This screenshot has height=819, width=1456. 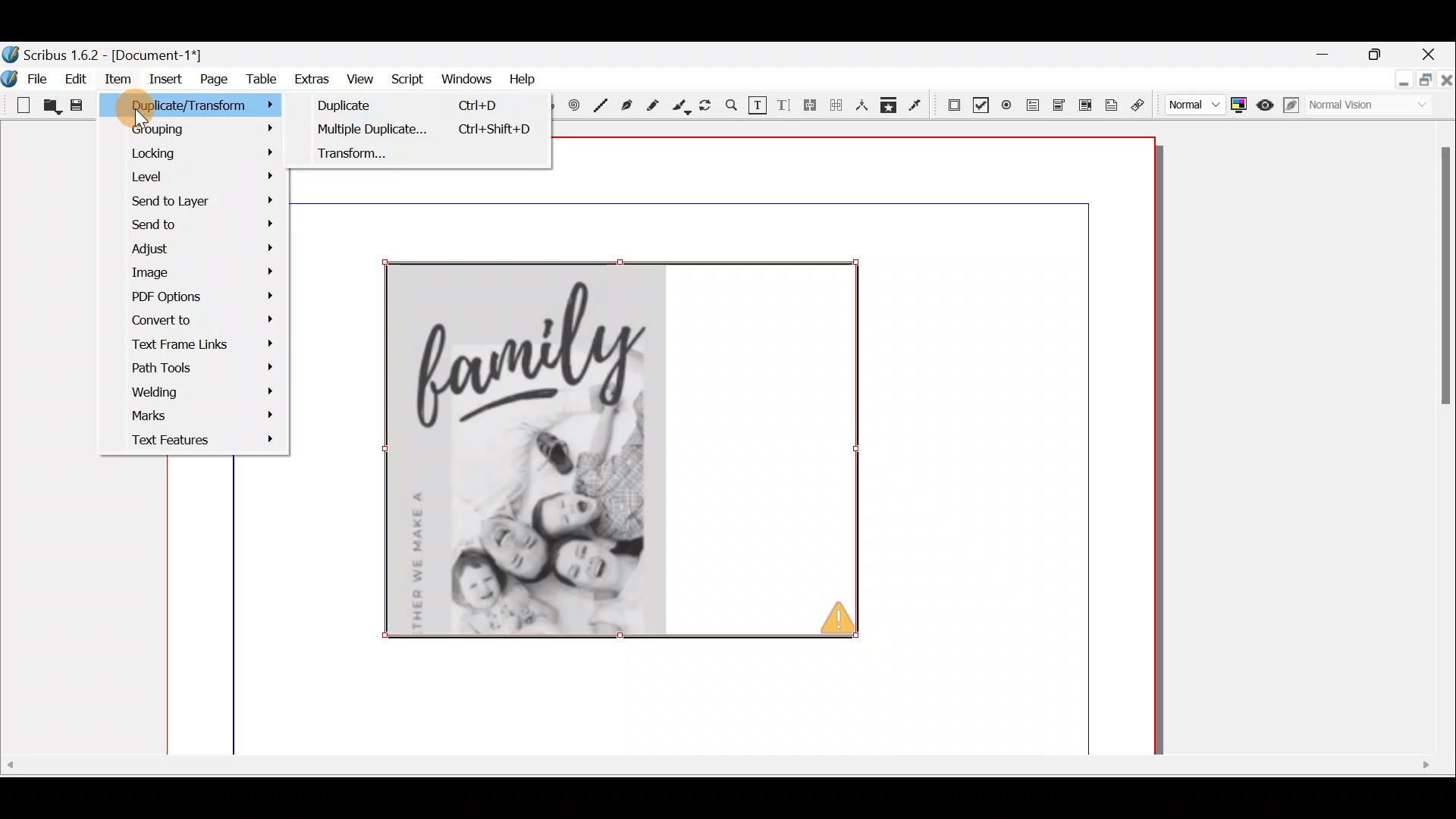 What do you see at coordinates (1031, 105) in the screenshot?
I see `PDF text field` at bounding box center [1031, 105].